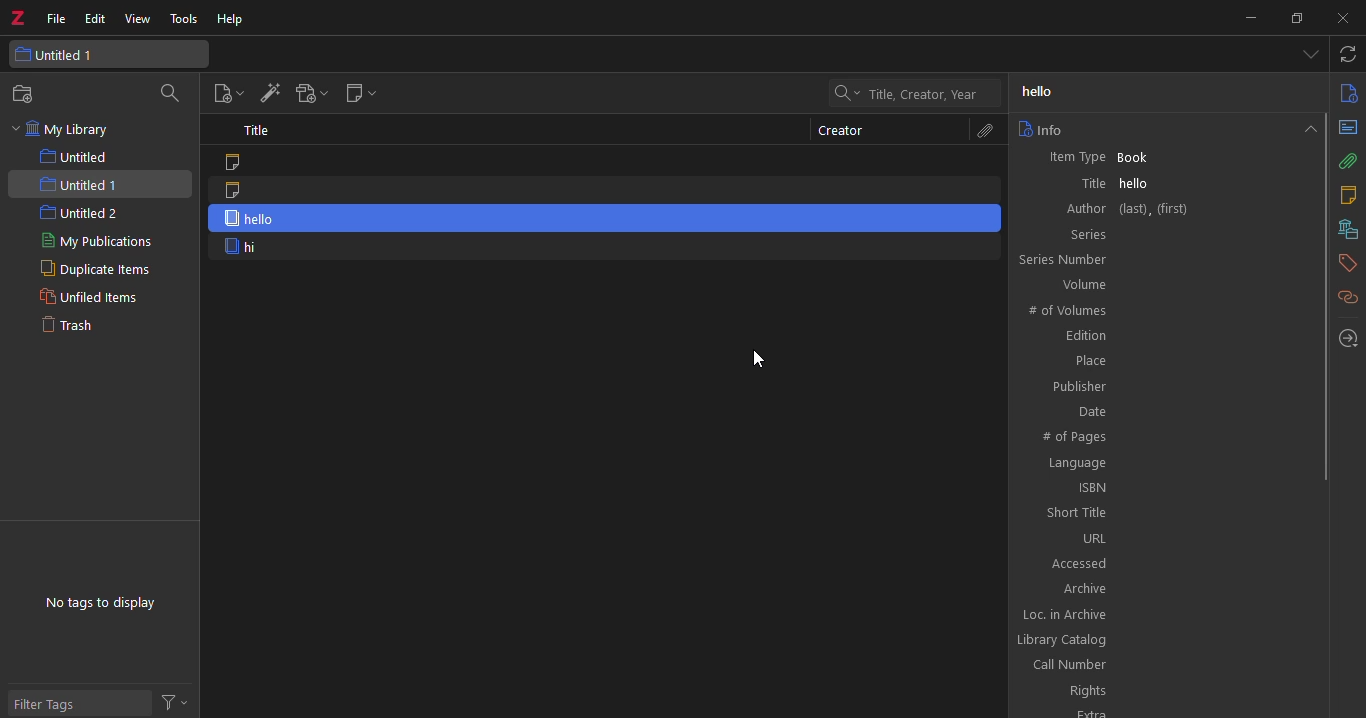  Describe the element at coordinates (1307, 127) in the screenshot. I see `expand` at that location.